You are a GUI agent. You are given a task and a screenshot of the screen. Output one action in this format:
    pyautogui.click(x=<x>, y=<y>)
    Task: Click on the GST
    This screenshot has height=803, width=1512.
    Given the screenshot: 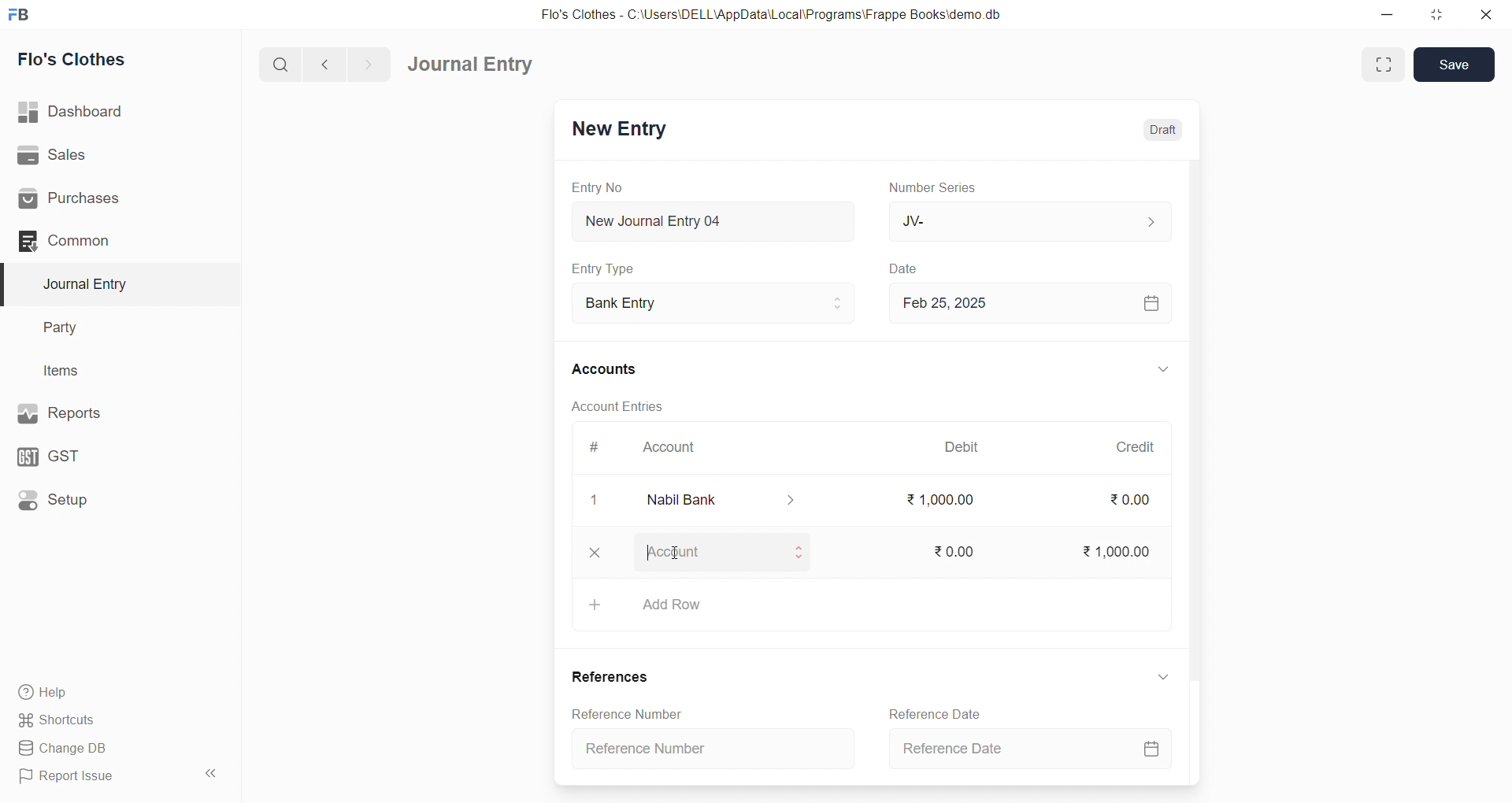 What is the action you would take?
    pyautogui.click(x=109, y=453)
    